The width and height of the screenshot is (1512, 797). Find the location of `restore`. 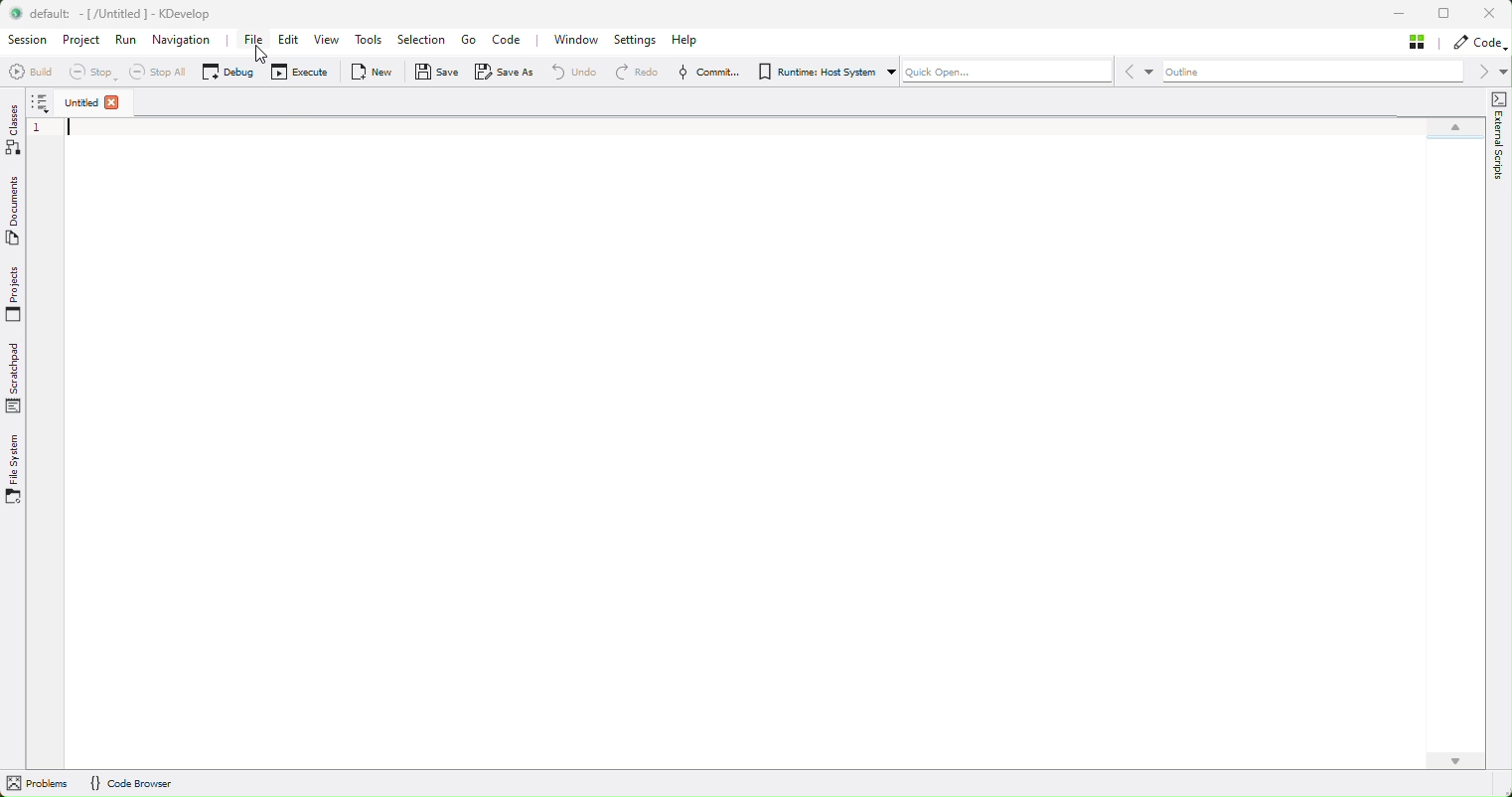

restore is located at coordinates (1450, 15).